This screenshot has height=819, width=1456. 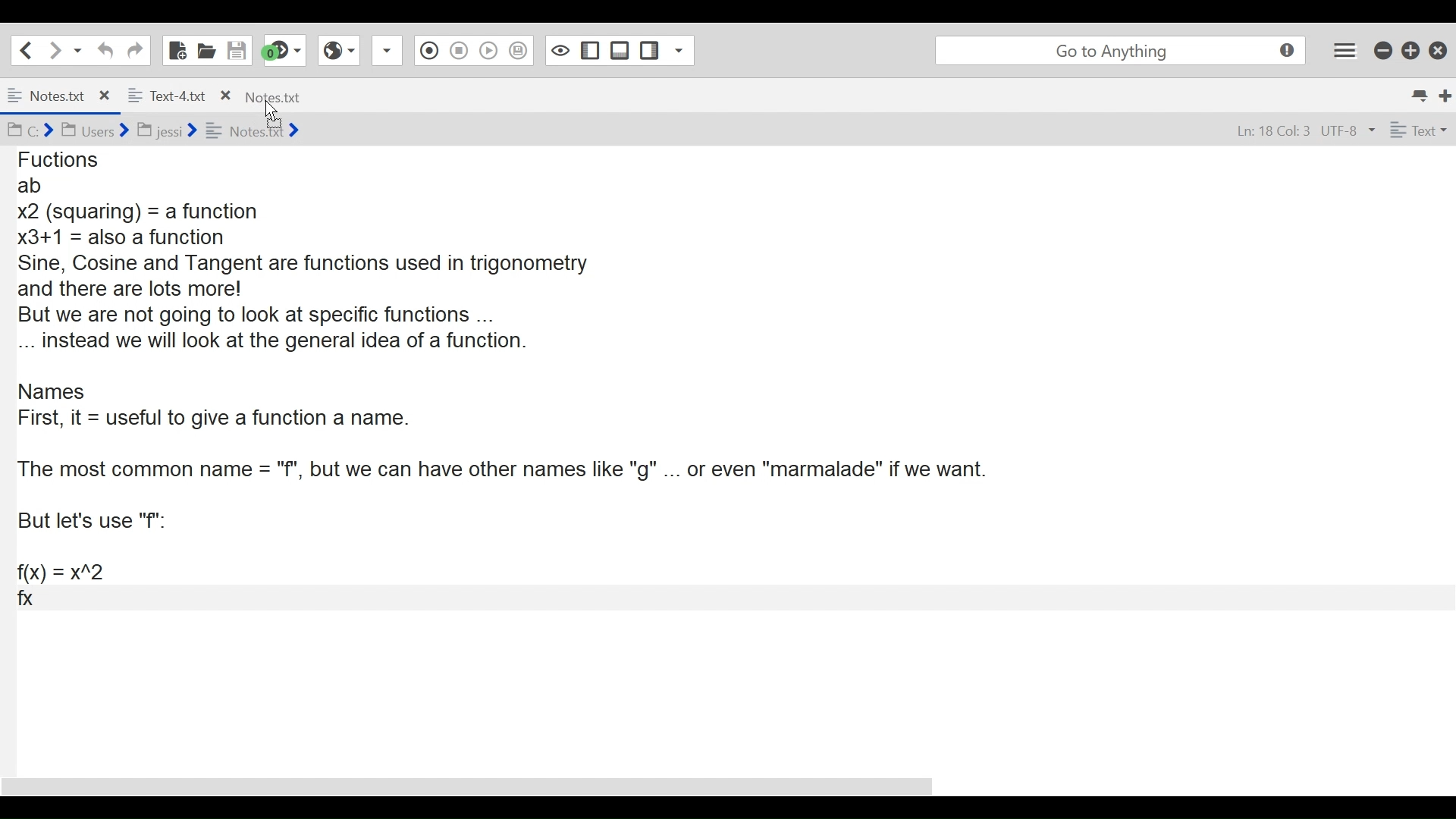 What do you see at coordinates (519, 49) in the screenshot?
I see `Save Macro to Toolbox as Superscript` at bounding box center [519, 49].